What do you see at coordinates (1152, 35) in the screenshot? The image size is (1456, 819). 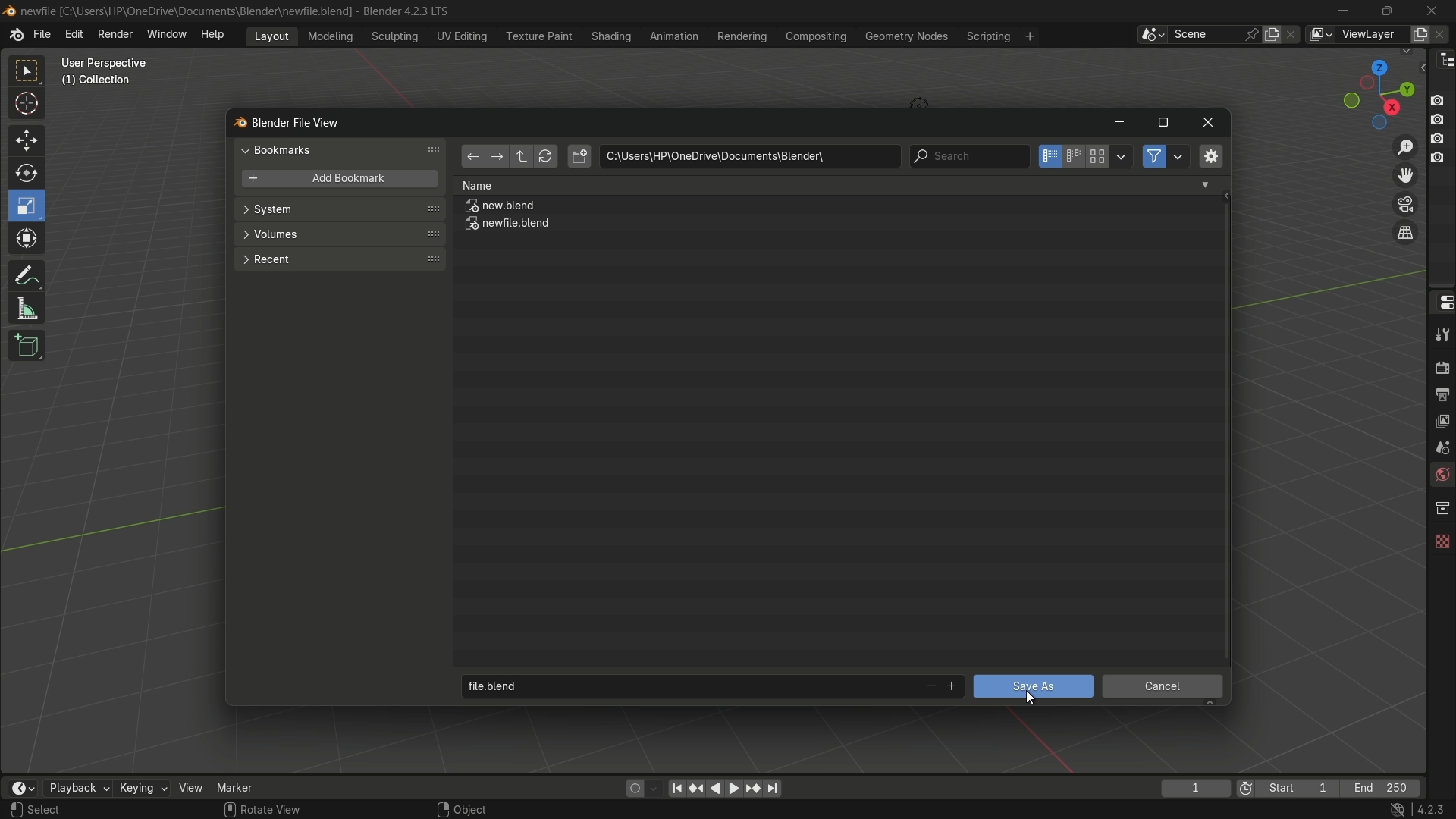 I see `browse scenes` at bounding box center [1152, 35].